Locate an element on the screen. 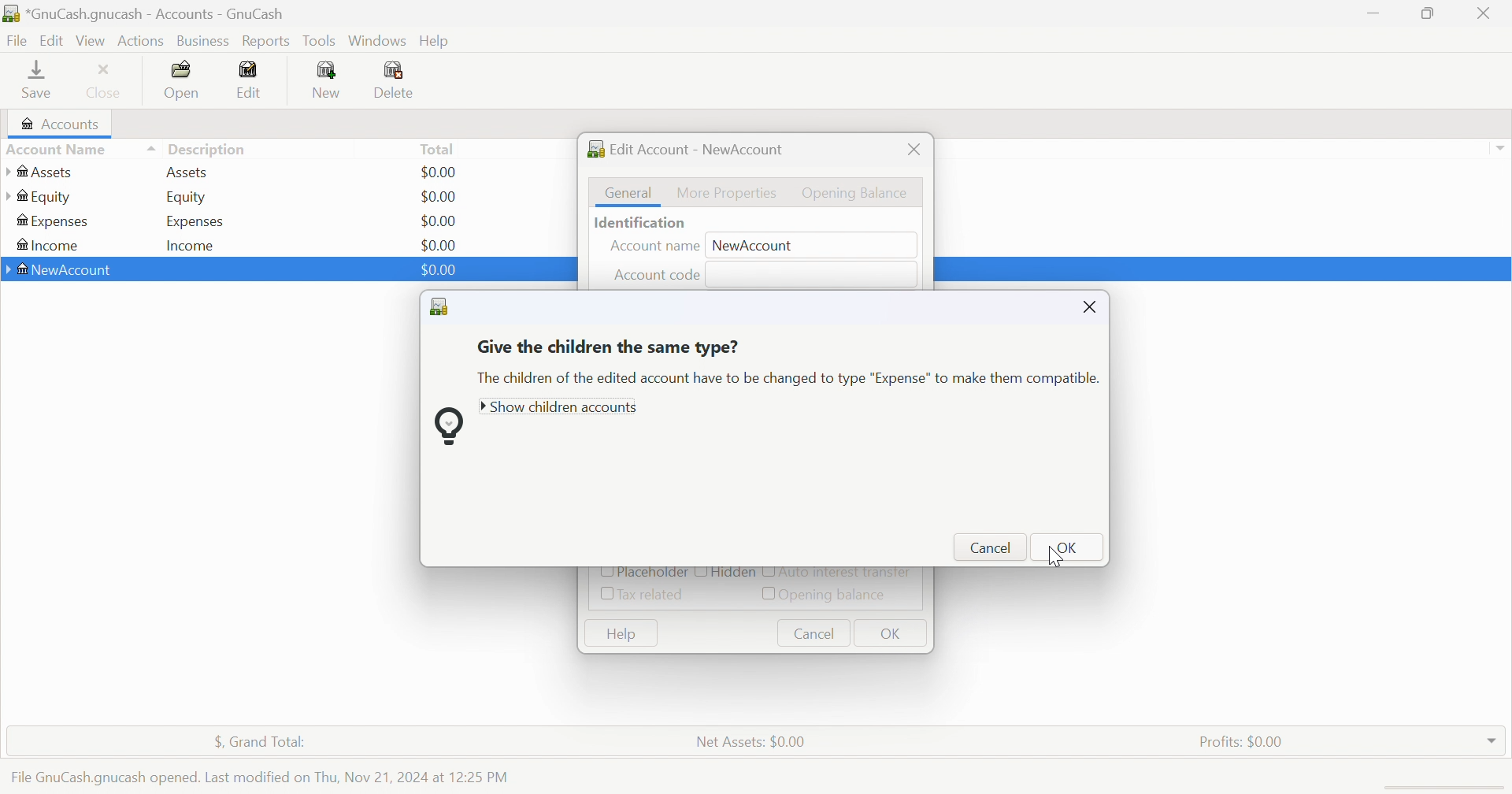  Expenses is located at coordinates (195, 222).